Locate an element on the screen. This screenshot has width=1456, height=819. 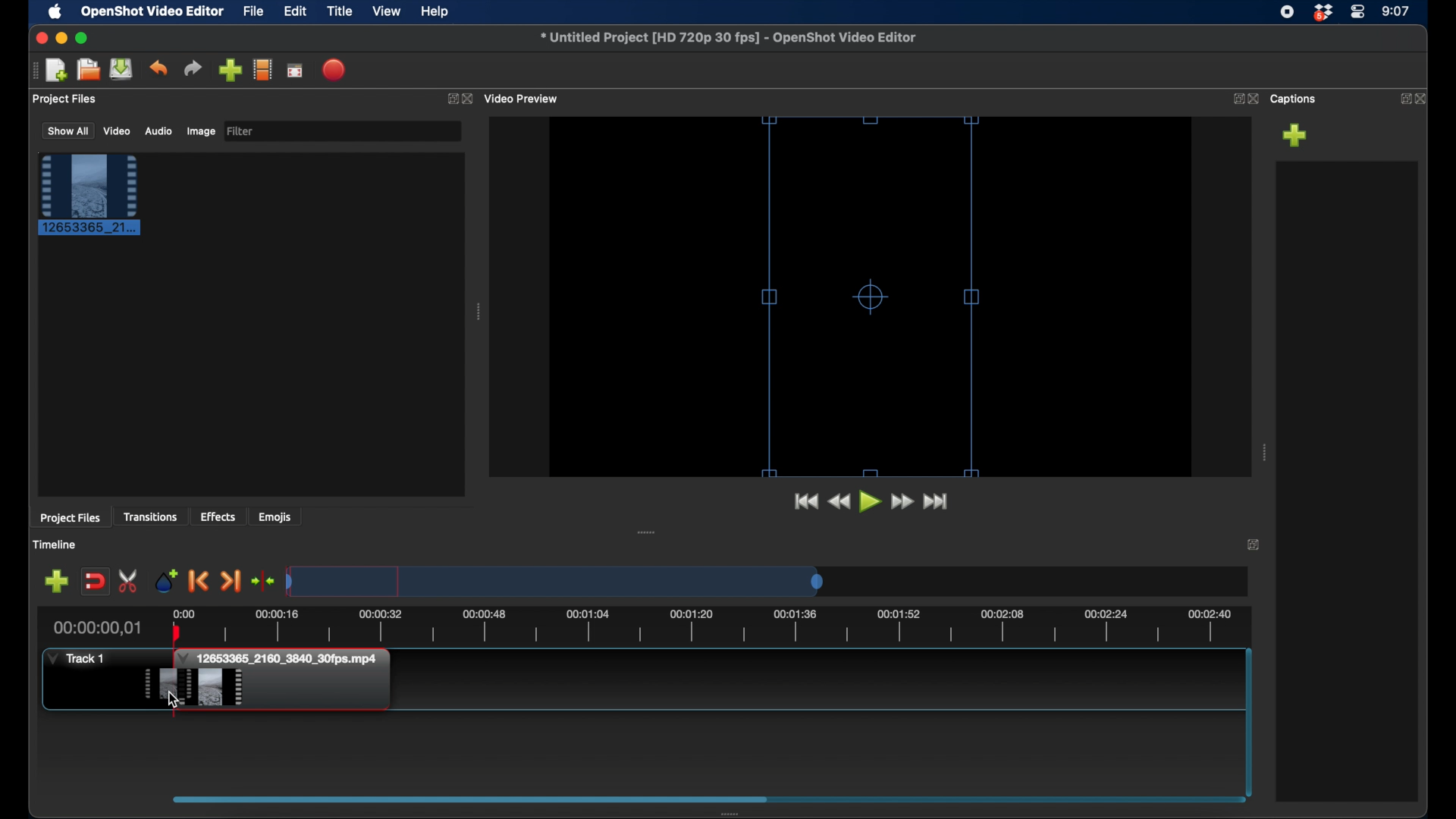
add is located at coordinates (1295, 135).